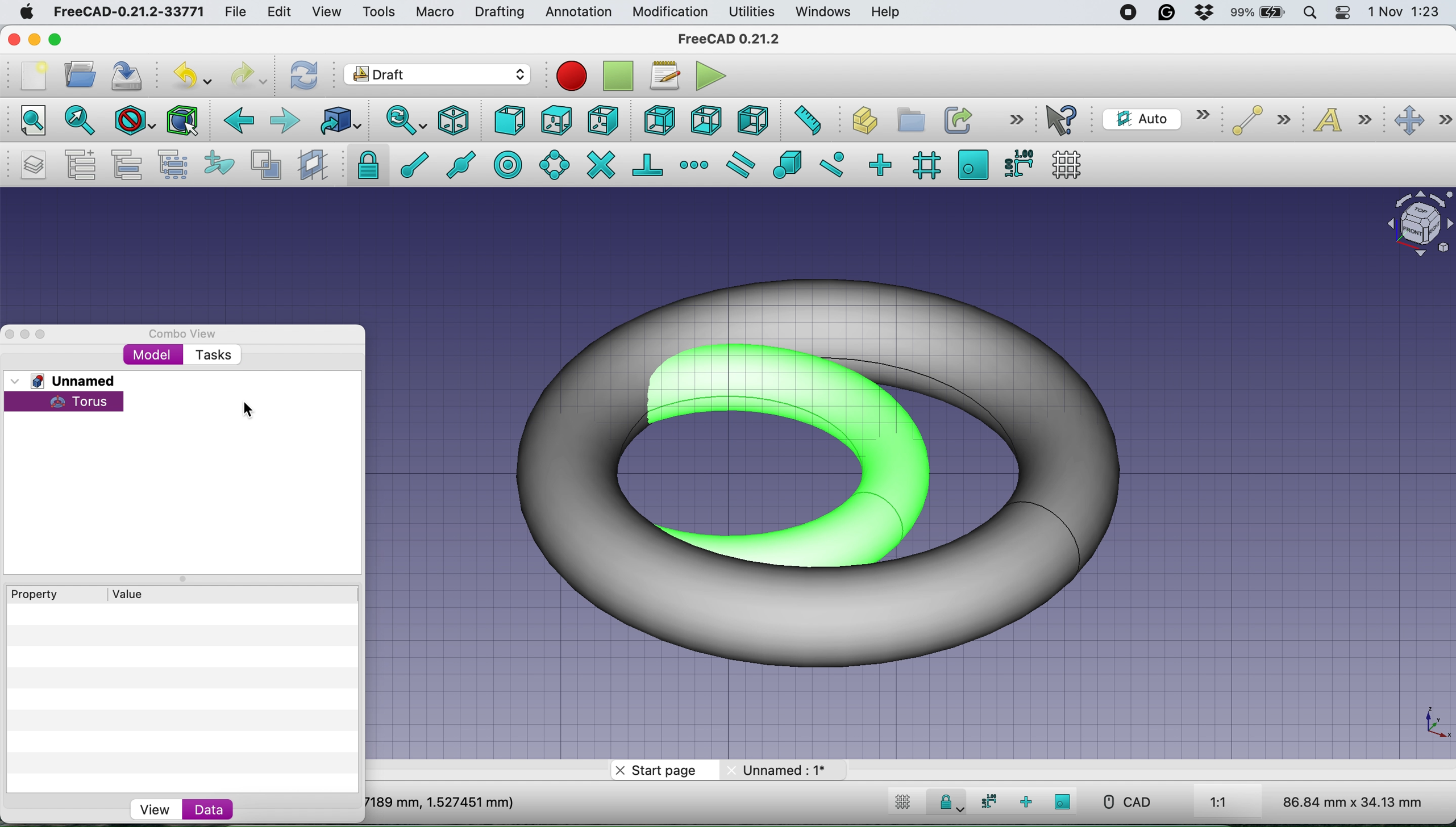 This screenshot has width=1456, height=827. I want to click on backward, so click(238, 124).